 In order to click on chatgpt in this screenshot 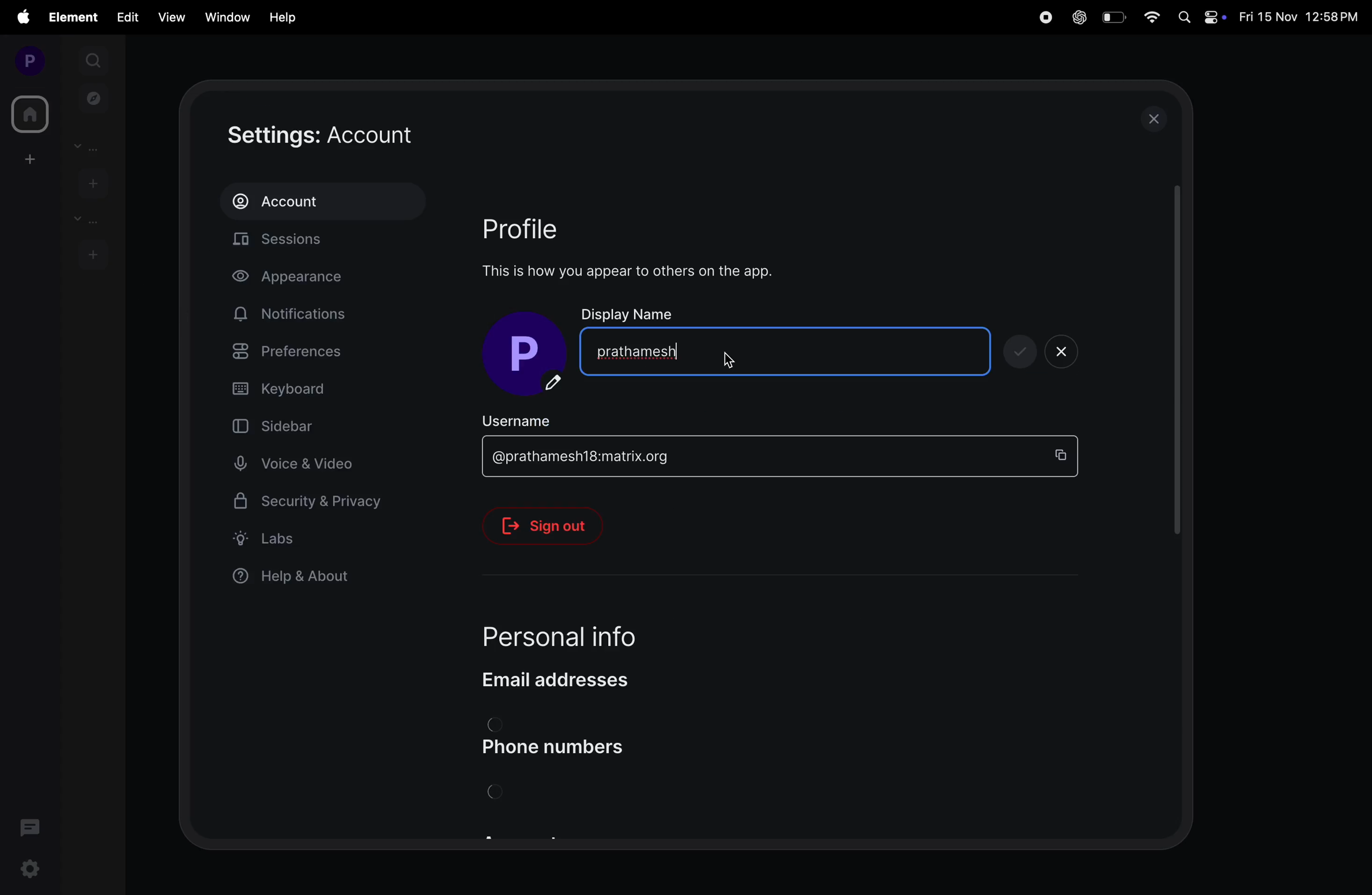, I will do `click(1077, 18)`.